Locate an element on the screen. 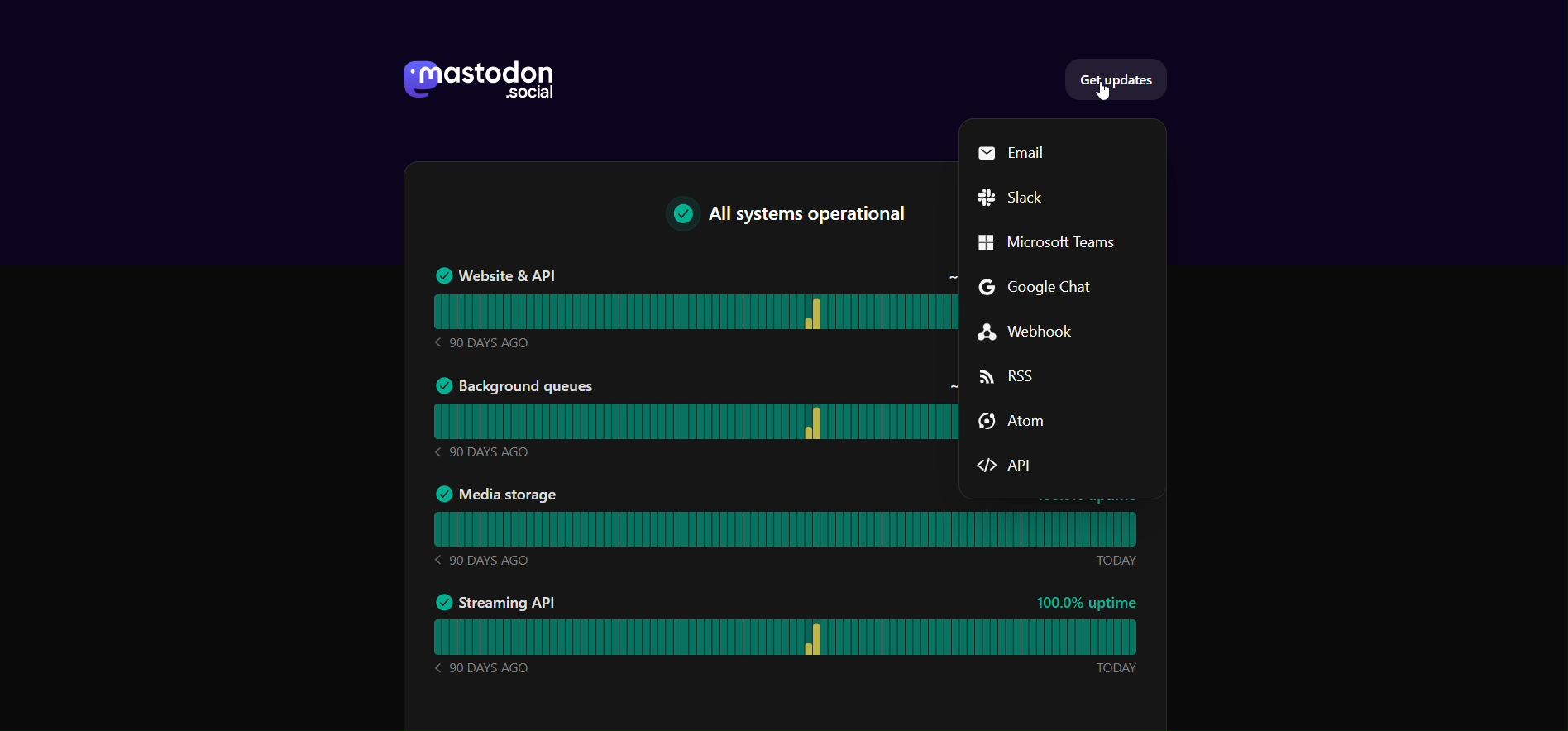  Webhook is located at coordinates (1046, 332).